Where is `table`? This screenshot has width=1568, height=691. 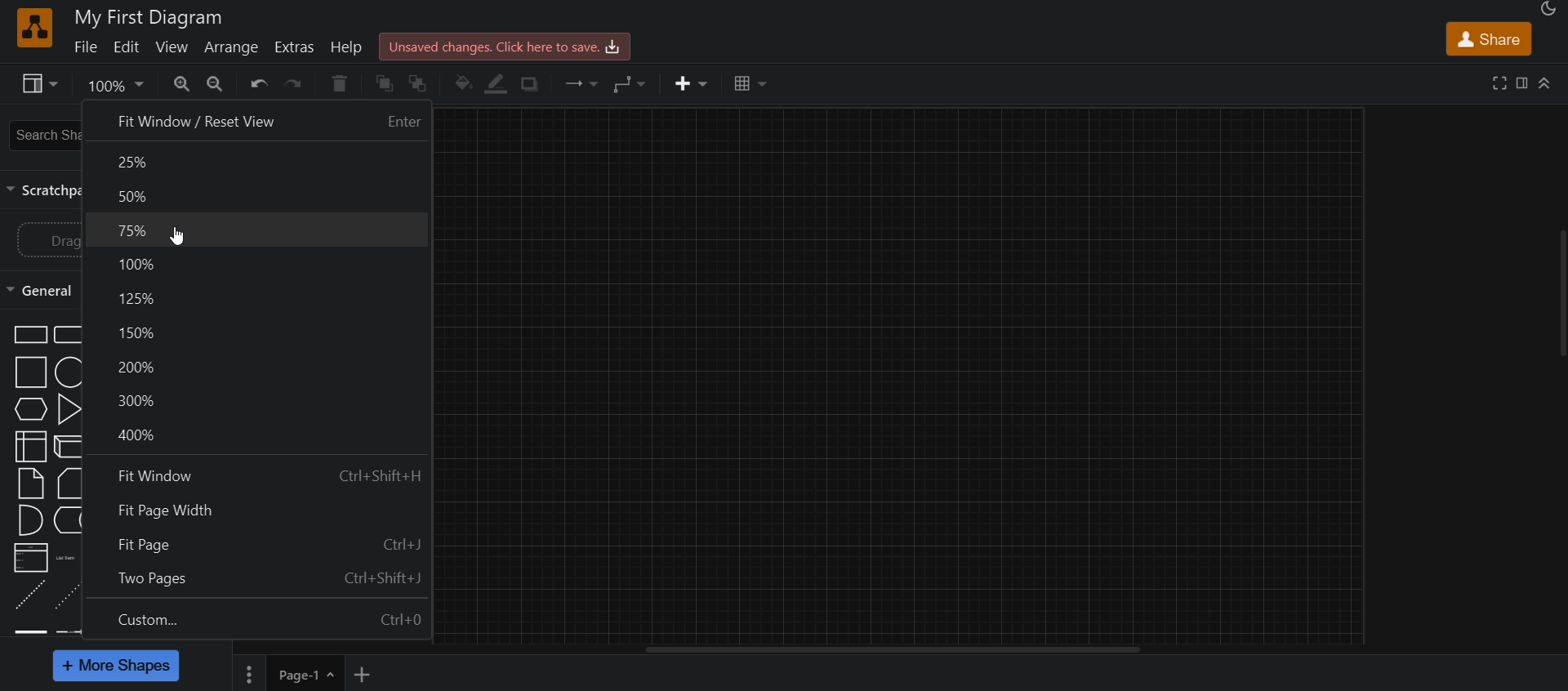 table is located at coordinates (750, 86).